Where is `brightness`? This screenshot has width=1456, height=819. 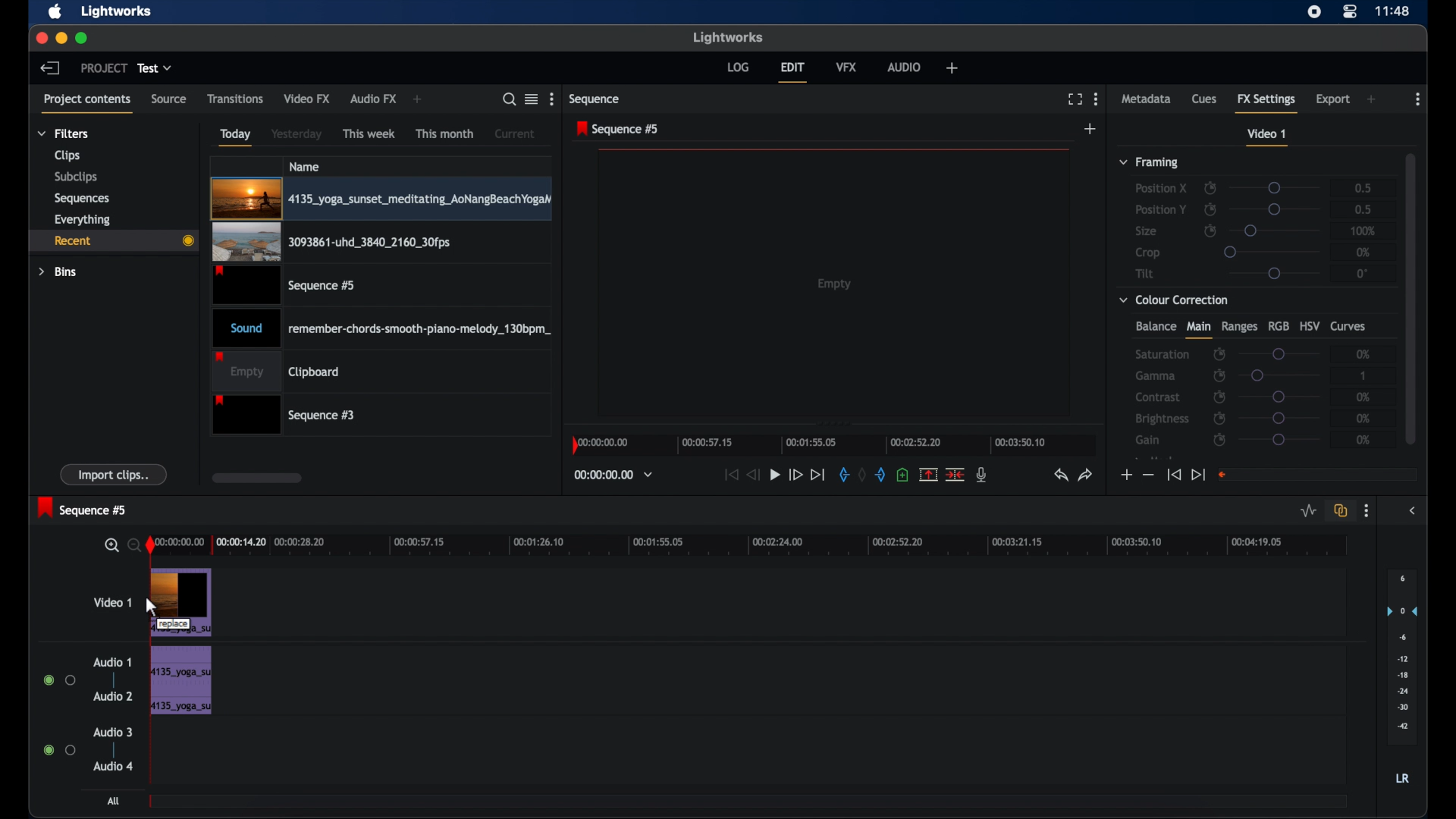 brightness is located at coordinates (1163, 419).